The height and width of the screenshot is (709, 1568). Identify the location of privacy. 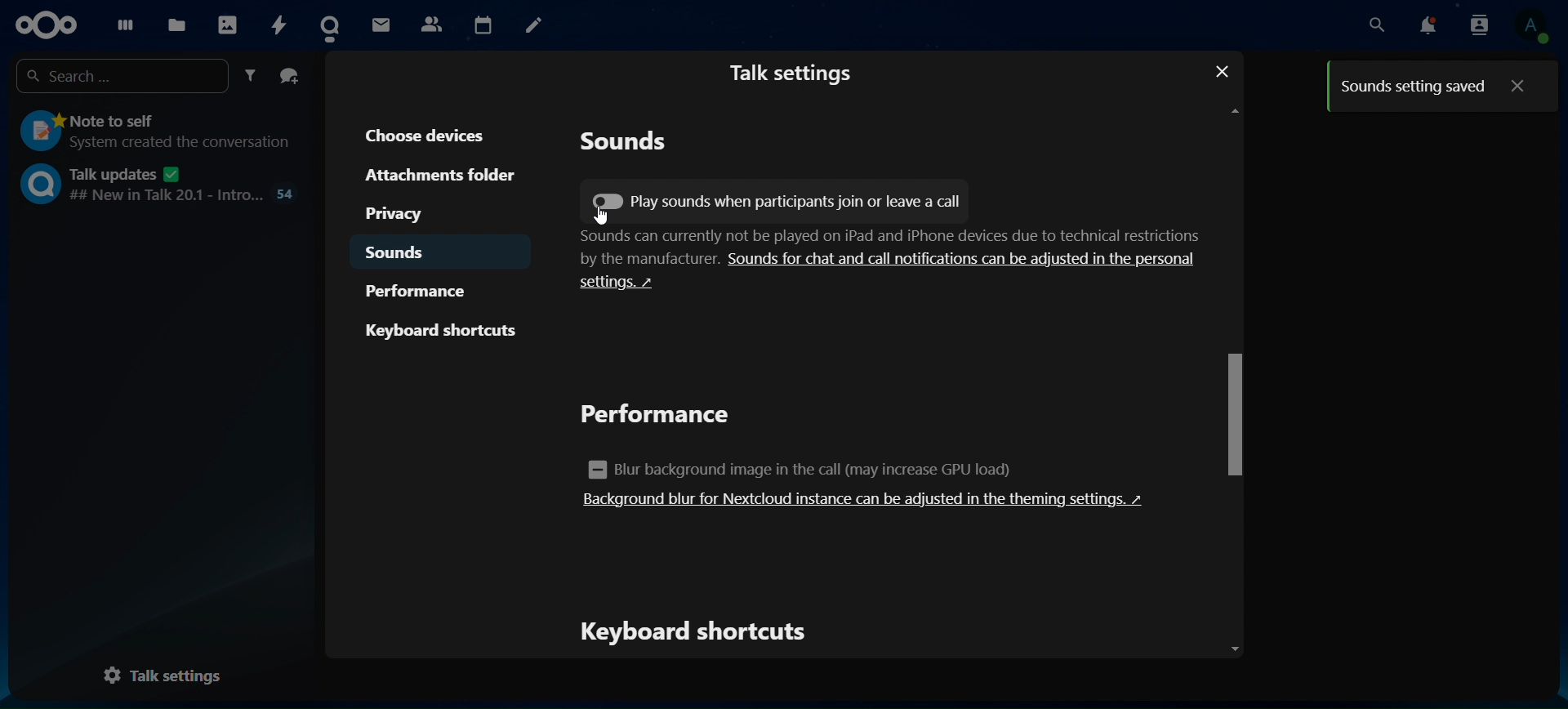
(412, 214).